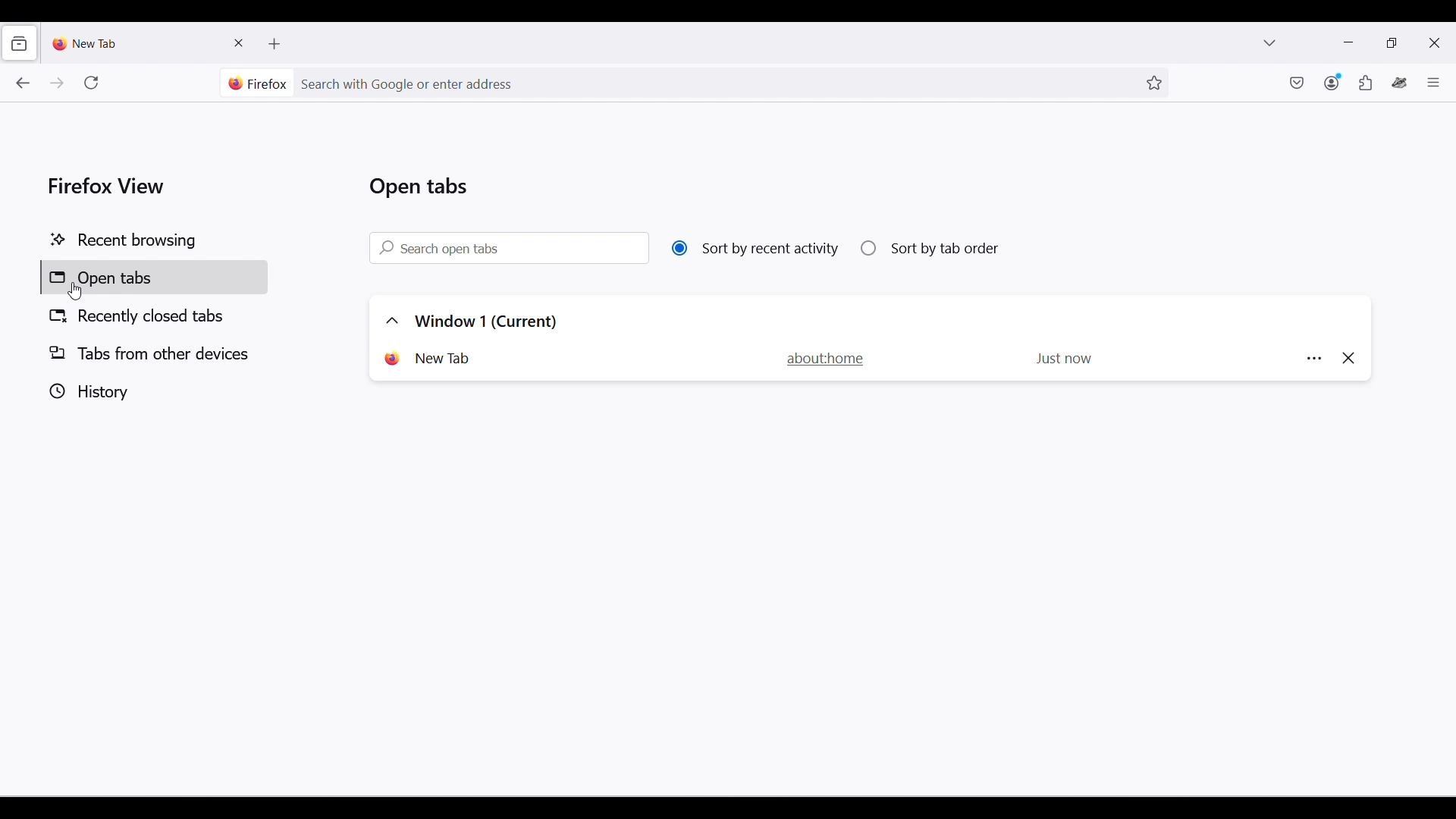 Image resolution: width=1456 pixels, height=819 pixels. What do you see at coordinates (240, 42) in the screenshot?
I see `Close current tab` at bounding box center [240, 42].